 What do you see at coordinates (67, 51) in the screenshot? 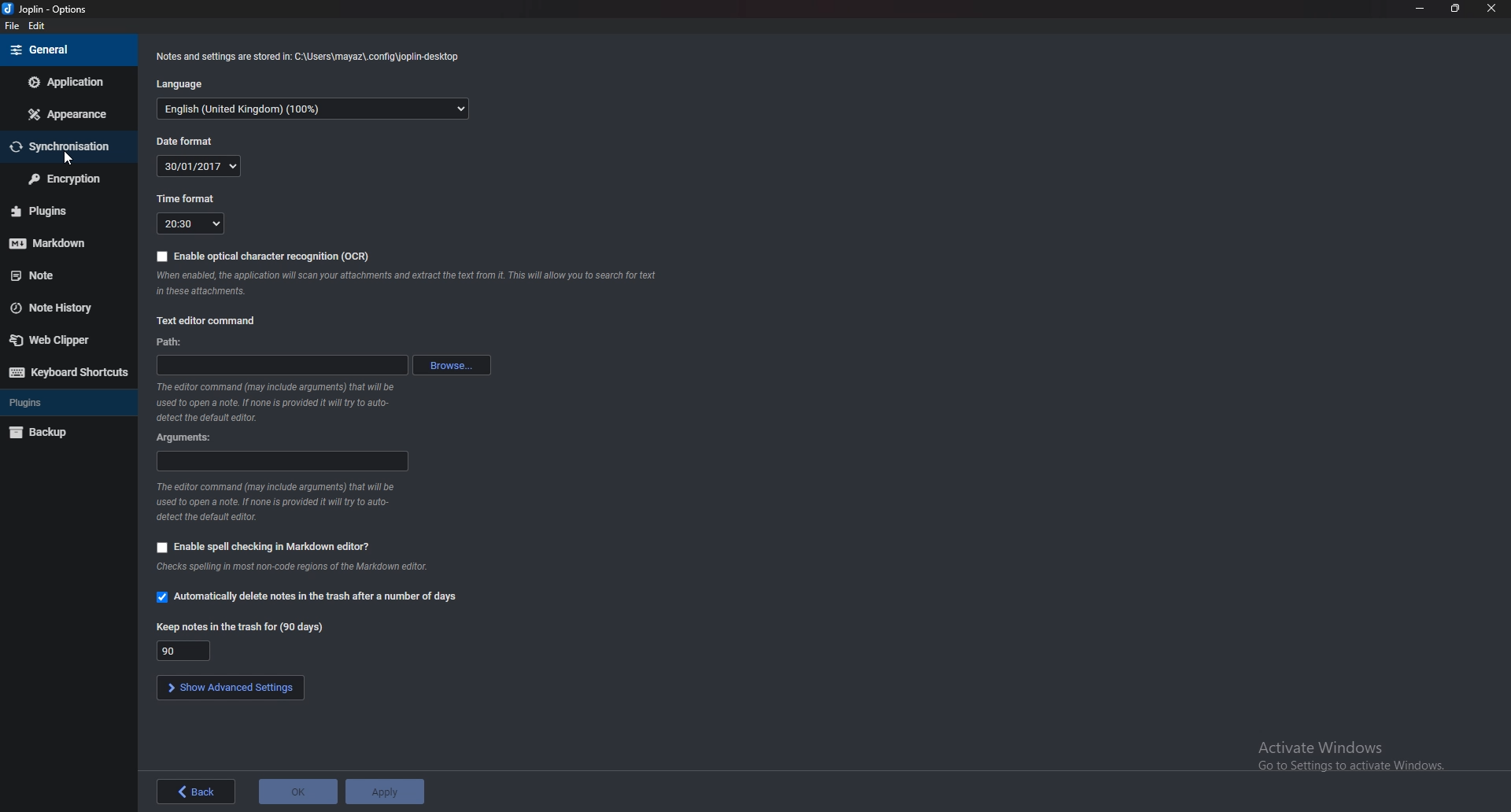
I see `general` at bounding box center [67, 51].